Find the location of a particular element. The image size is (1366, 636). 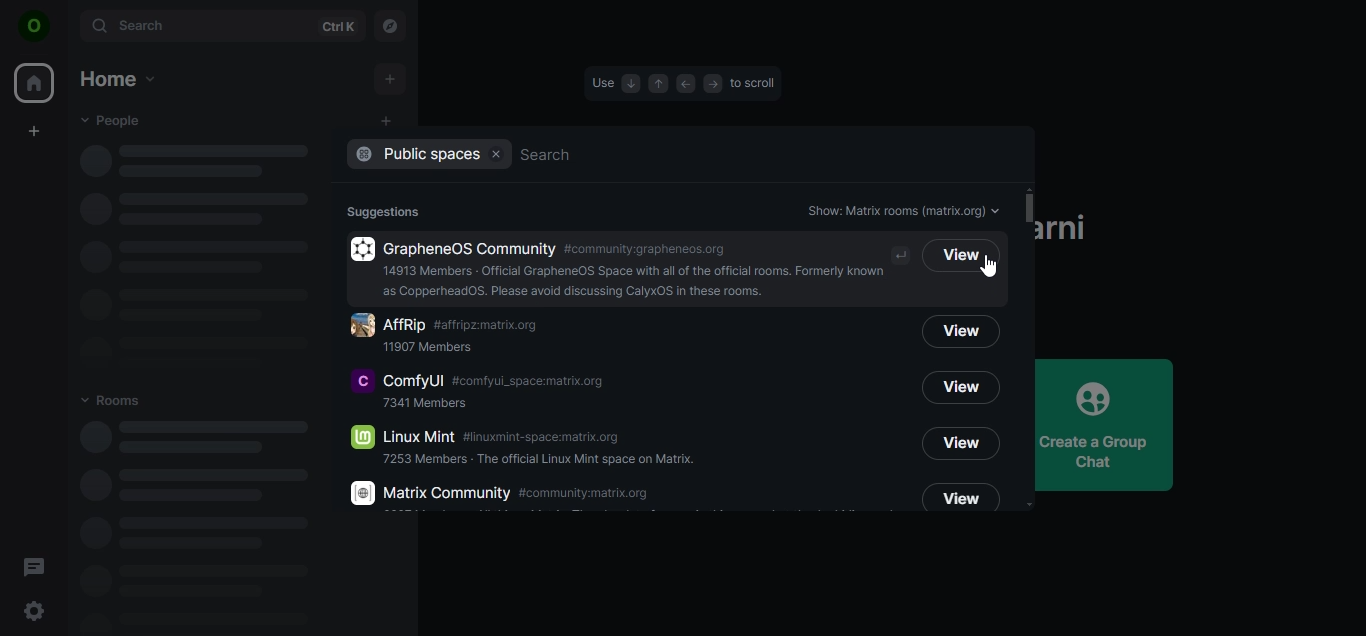

loading text is located at coordinates (192, 524).